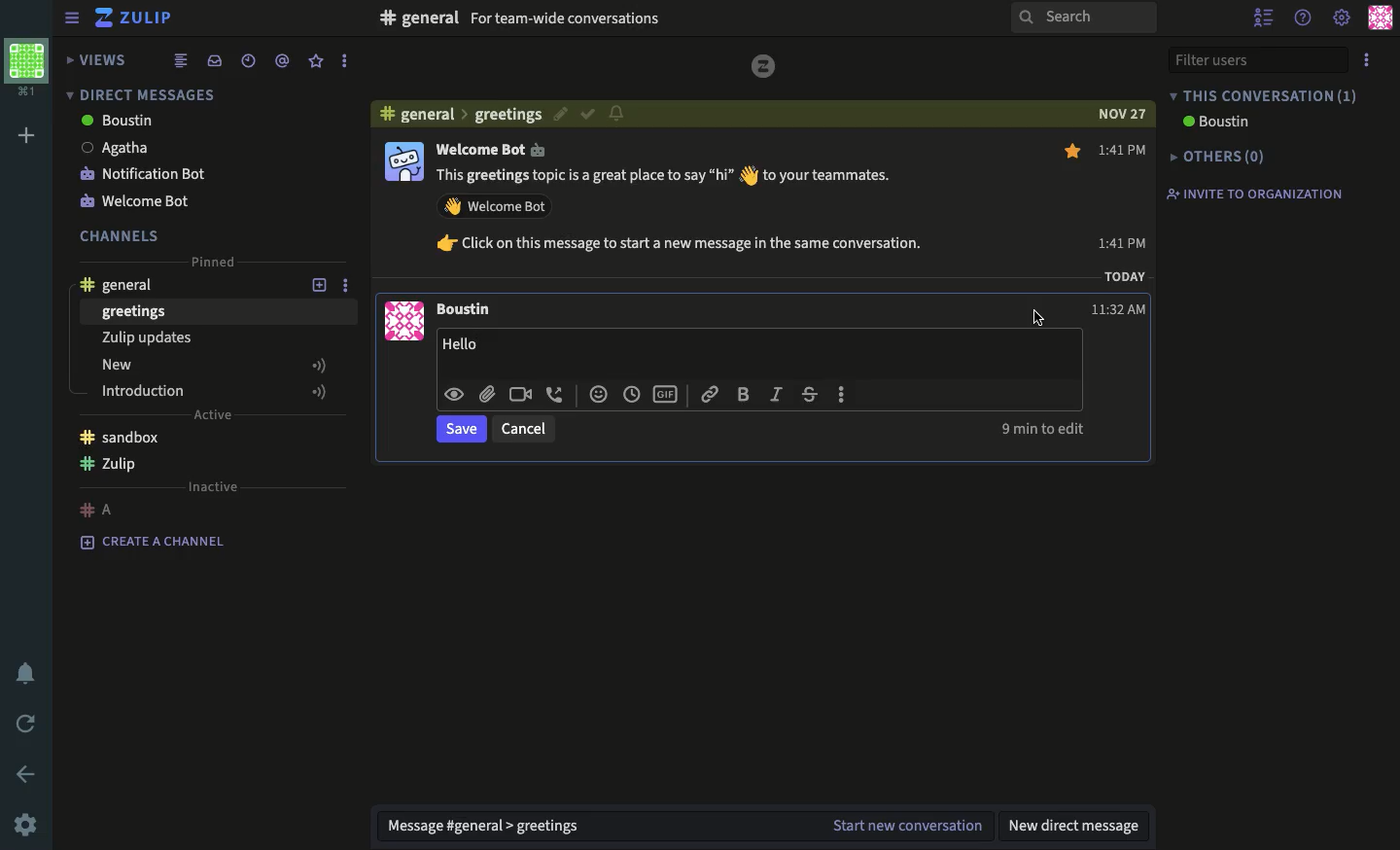 The width and height of the screenshot is (1400, 850). I want to click on boustin, so click(1218, 123).